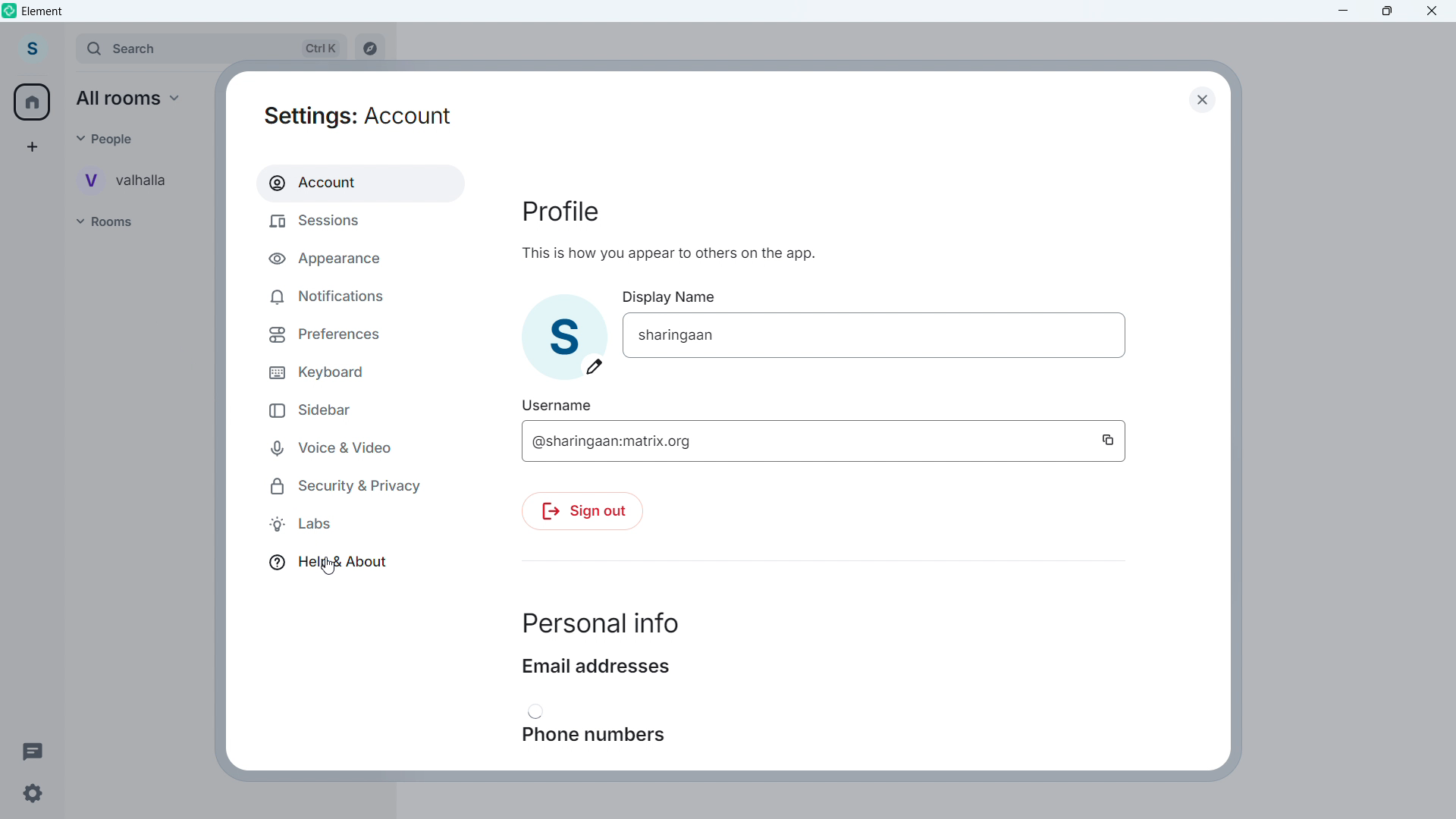 The height and width of the screenshot is (819, 1456). I want to click on Email addresses , so click(600, 667).